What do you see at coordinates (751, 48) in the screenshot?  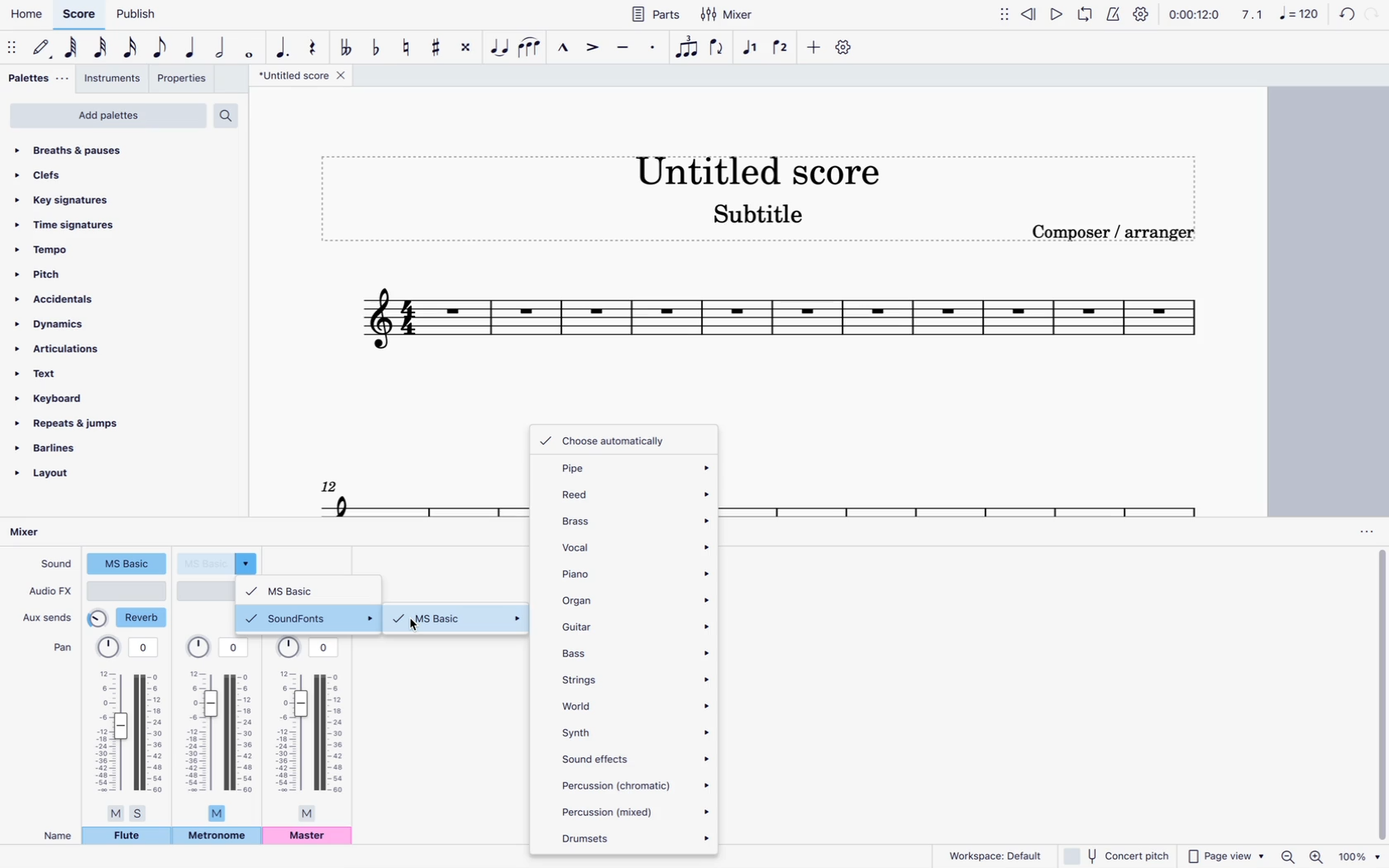 I see `voice 1` at bounding box center [751, 48].